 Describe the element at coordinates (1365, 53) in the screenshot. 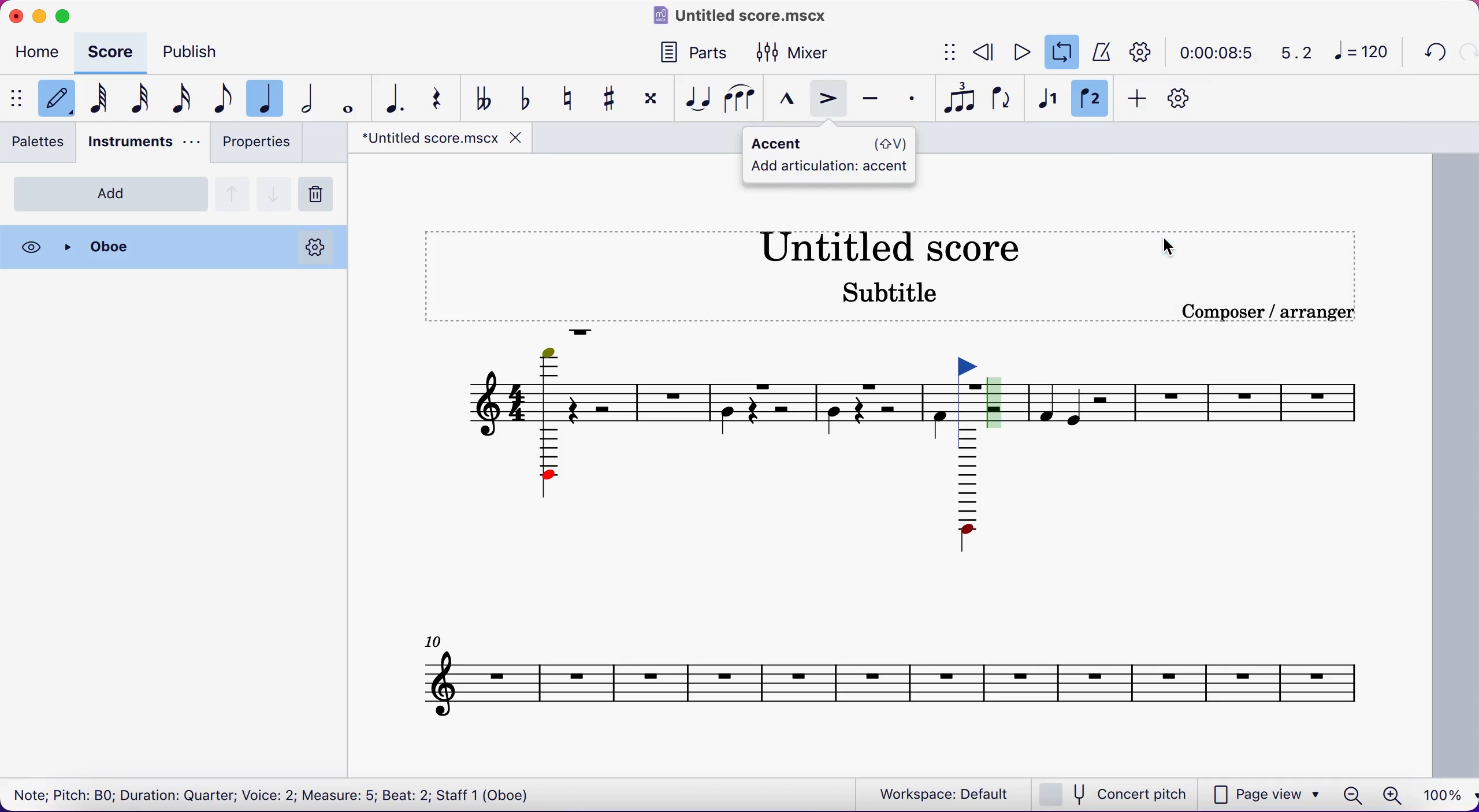

I see `120` at that location.